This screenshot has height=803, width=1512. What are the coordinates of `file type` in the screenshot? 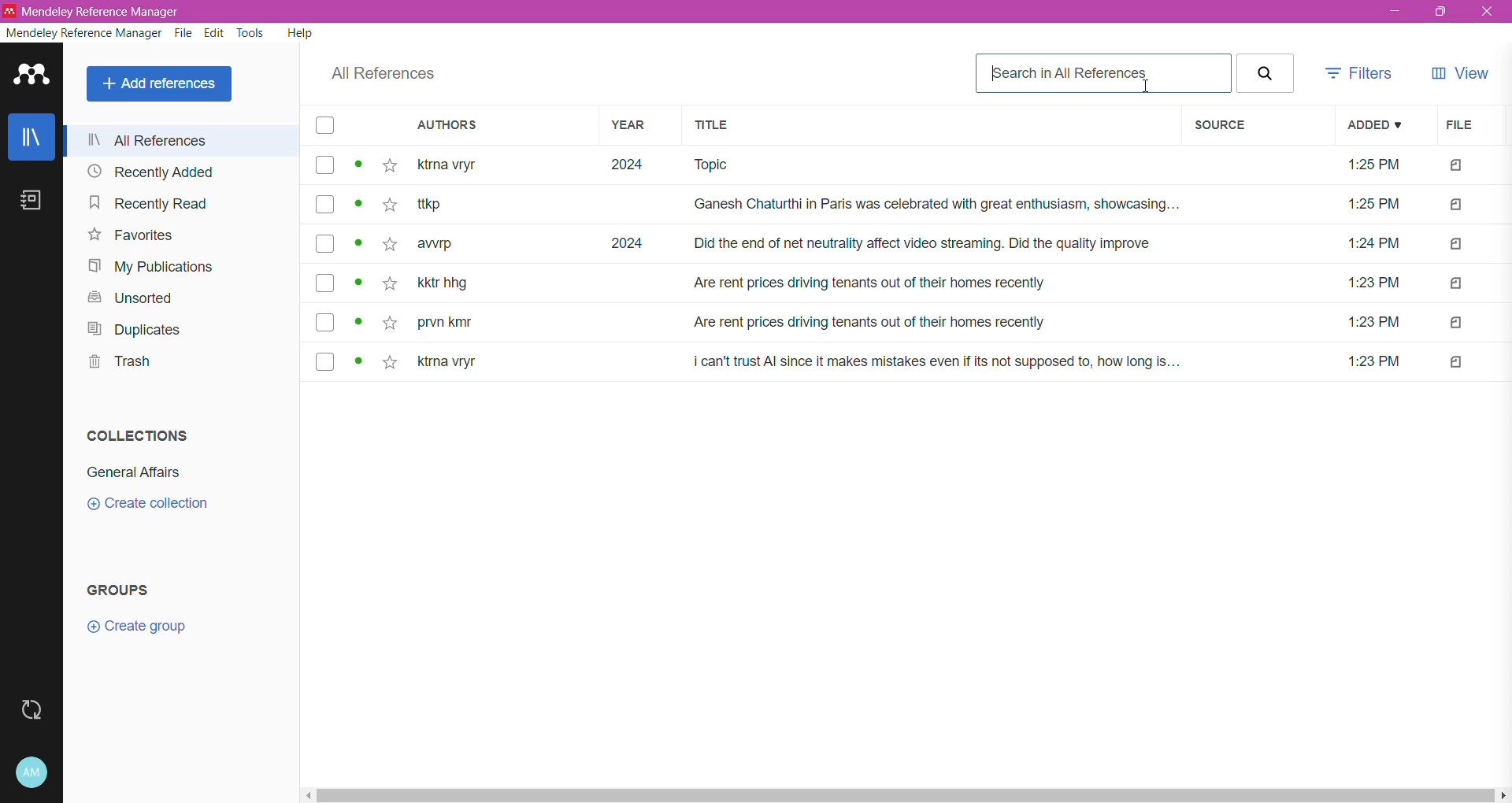 It's located at (1457, 324).